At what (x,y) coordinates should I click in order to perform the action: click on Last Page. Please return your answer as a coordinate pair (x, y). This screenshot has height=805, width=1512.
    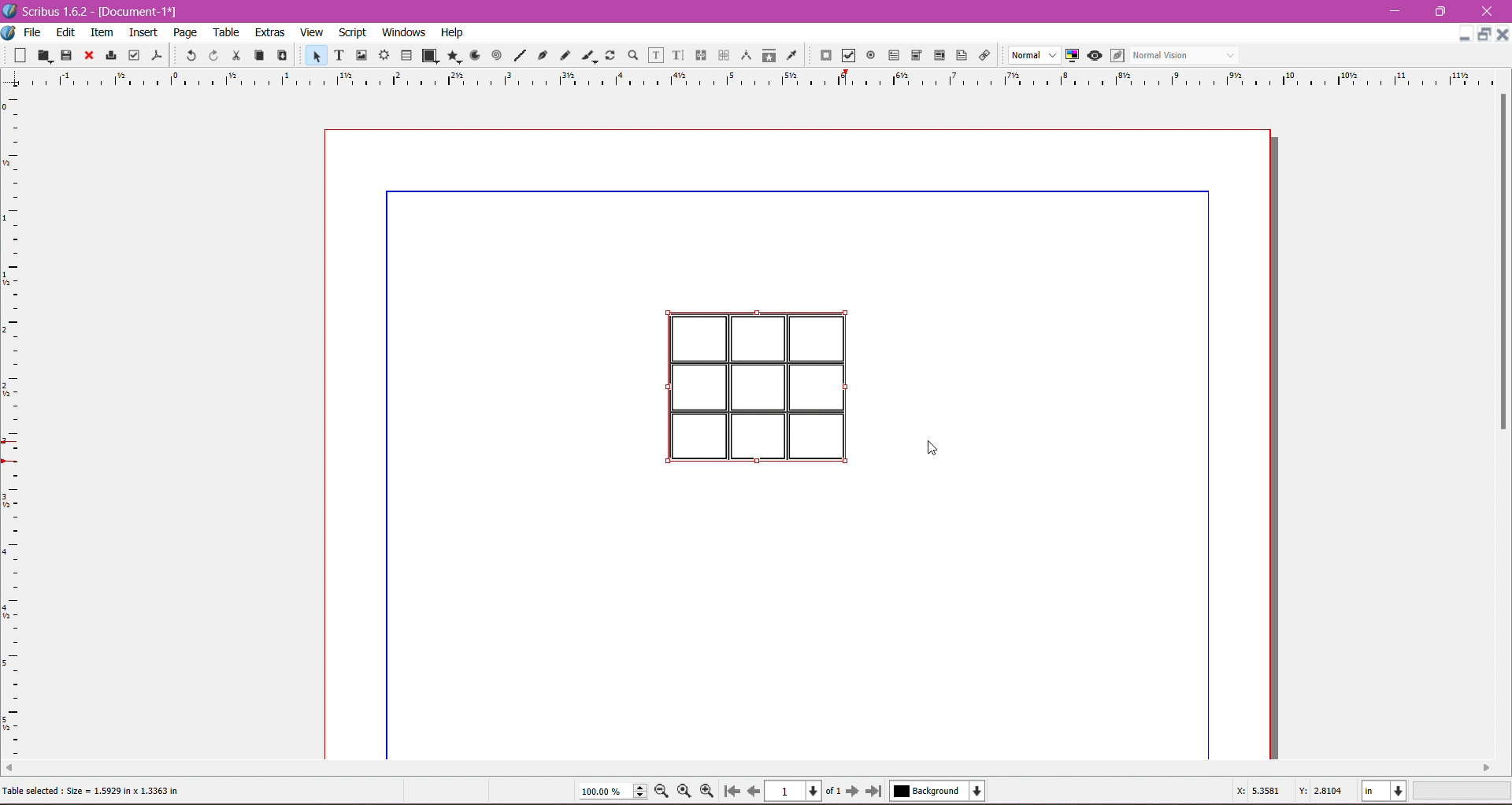
    Looking at the image, I should click on (877, 792).